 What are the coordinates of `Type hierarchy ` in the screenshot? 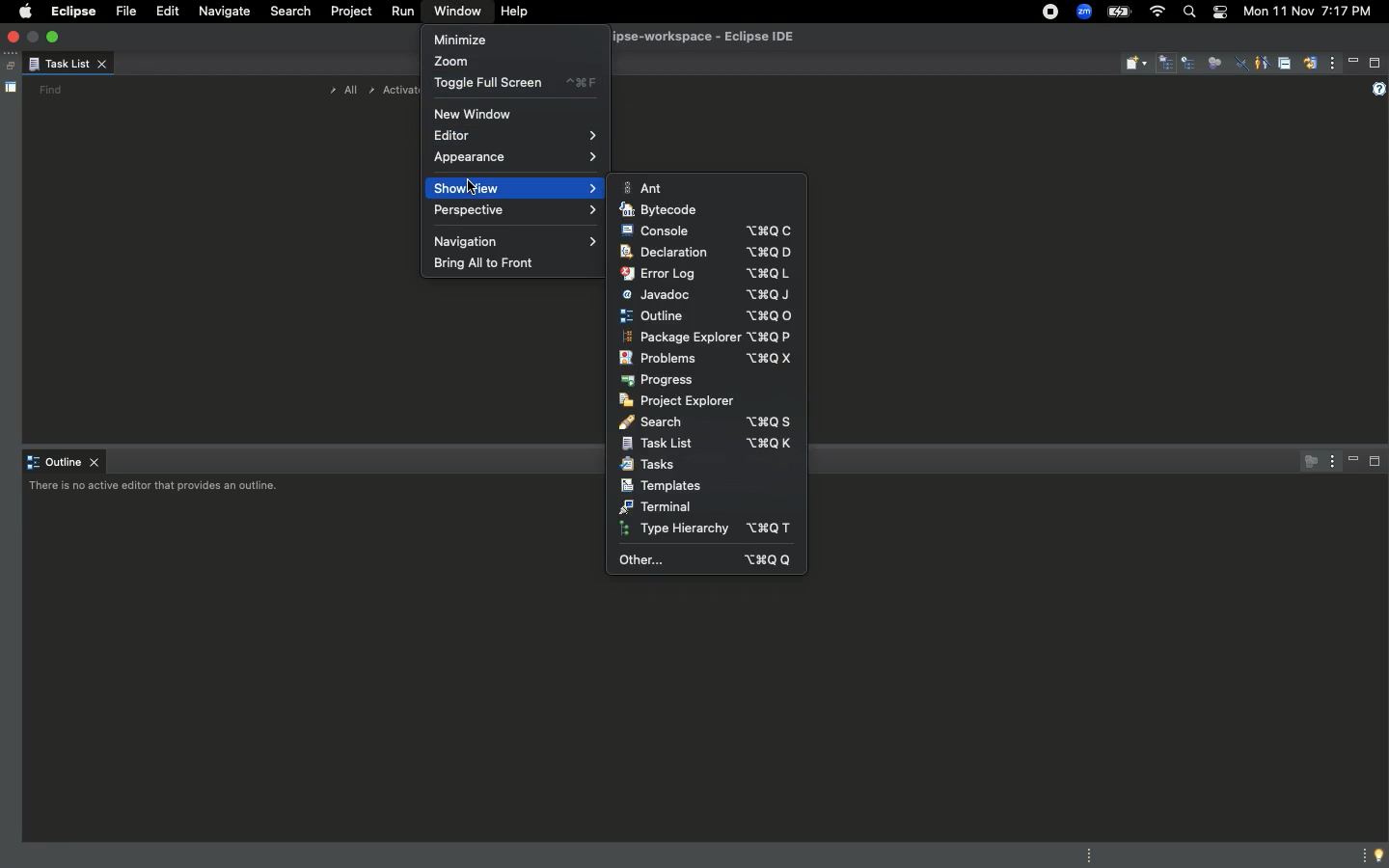 It's located at (703, 529).